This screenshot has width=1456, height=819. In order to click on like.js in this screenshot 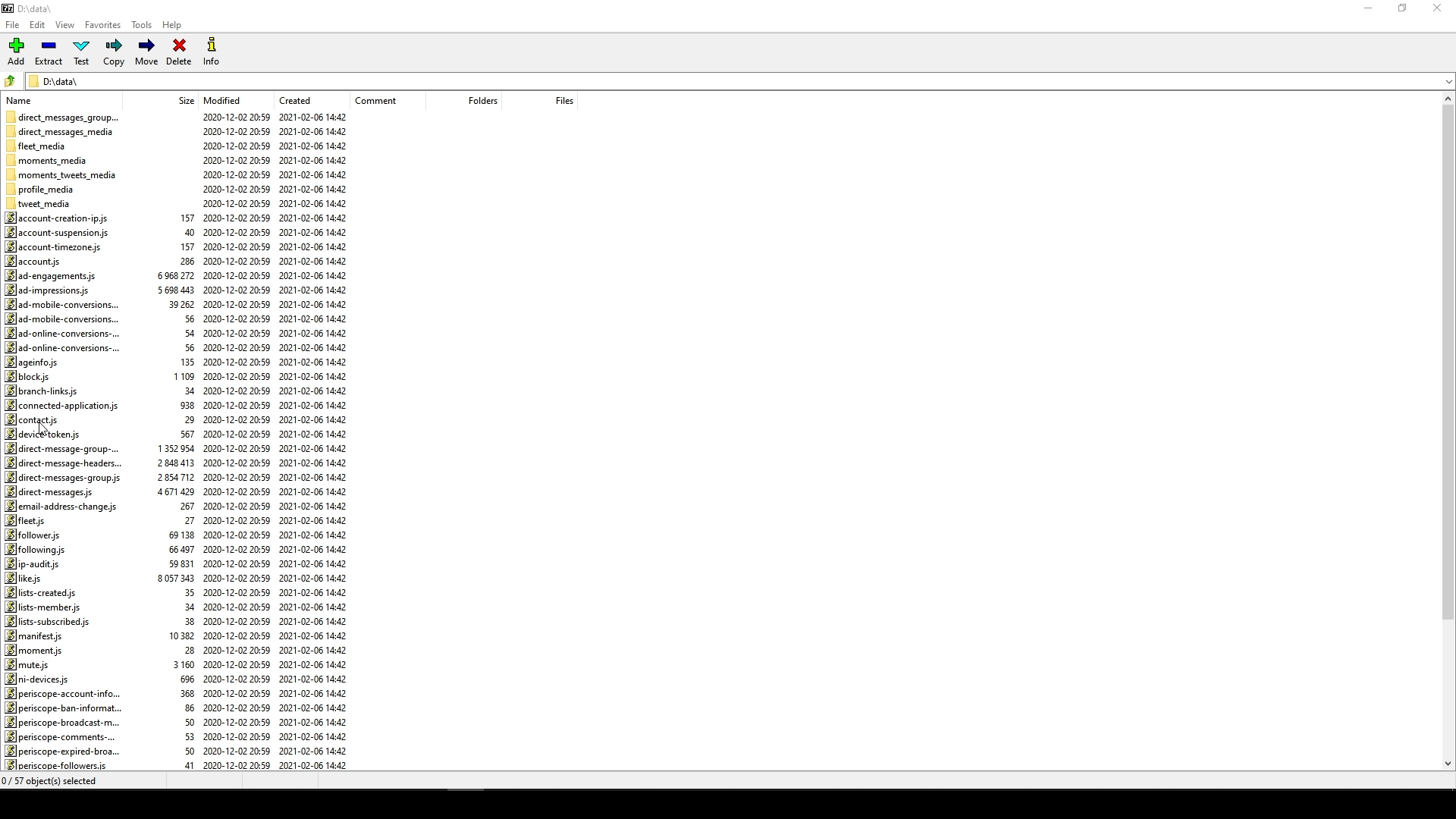, I will do `click(28, 579)`.